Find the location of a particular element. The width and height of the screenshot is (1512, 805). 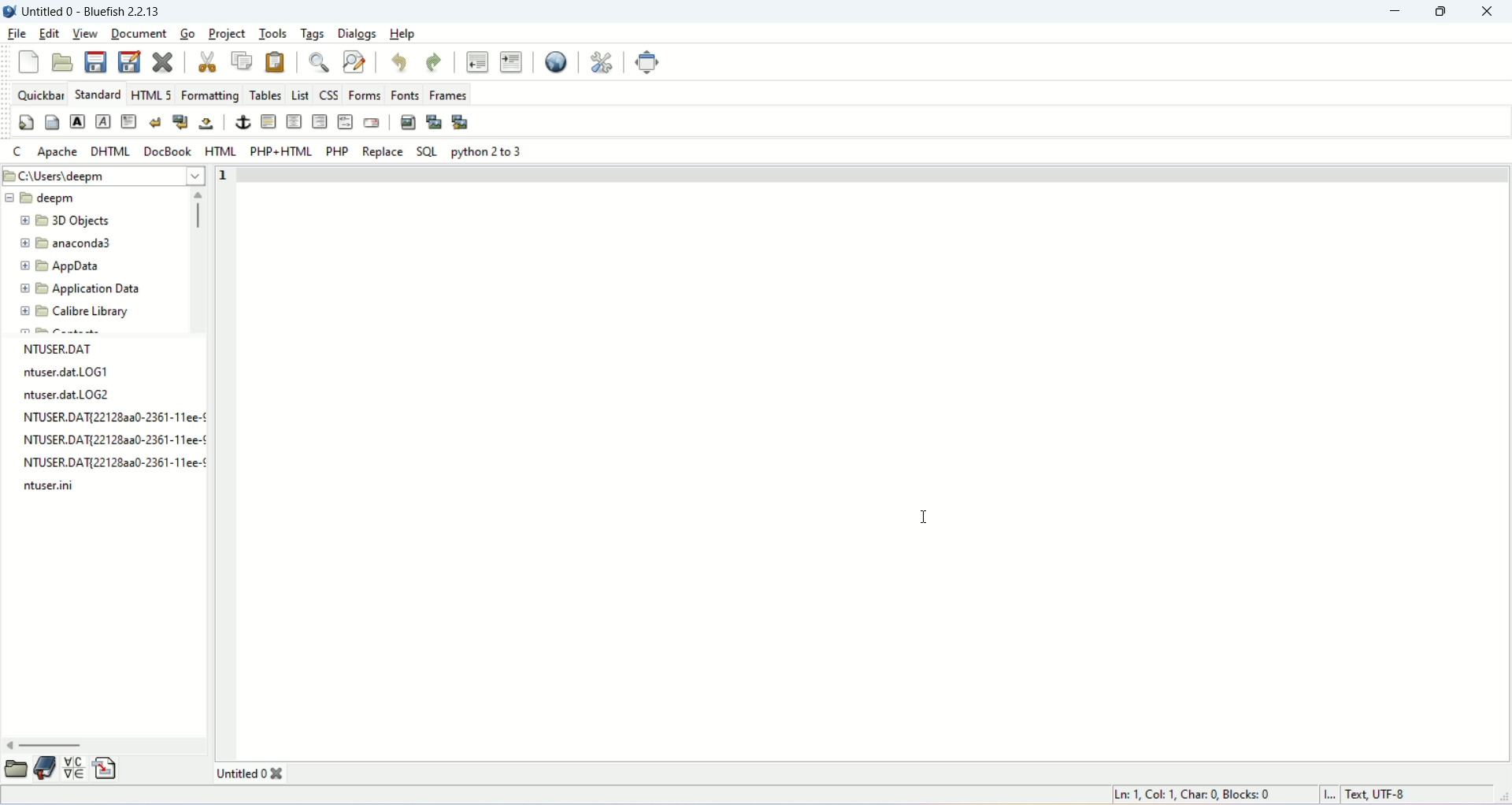

Ln: 1. Col: 1. Char: 0 Blocks: 0 is located at coordinates (1195, 793).